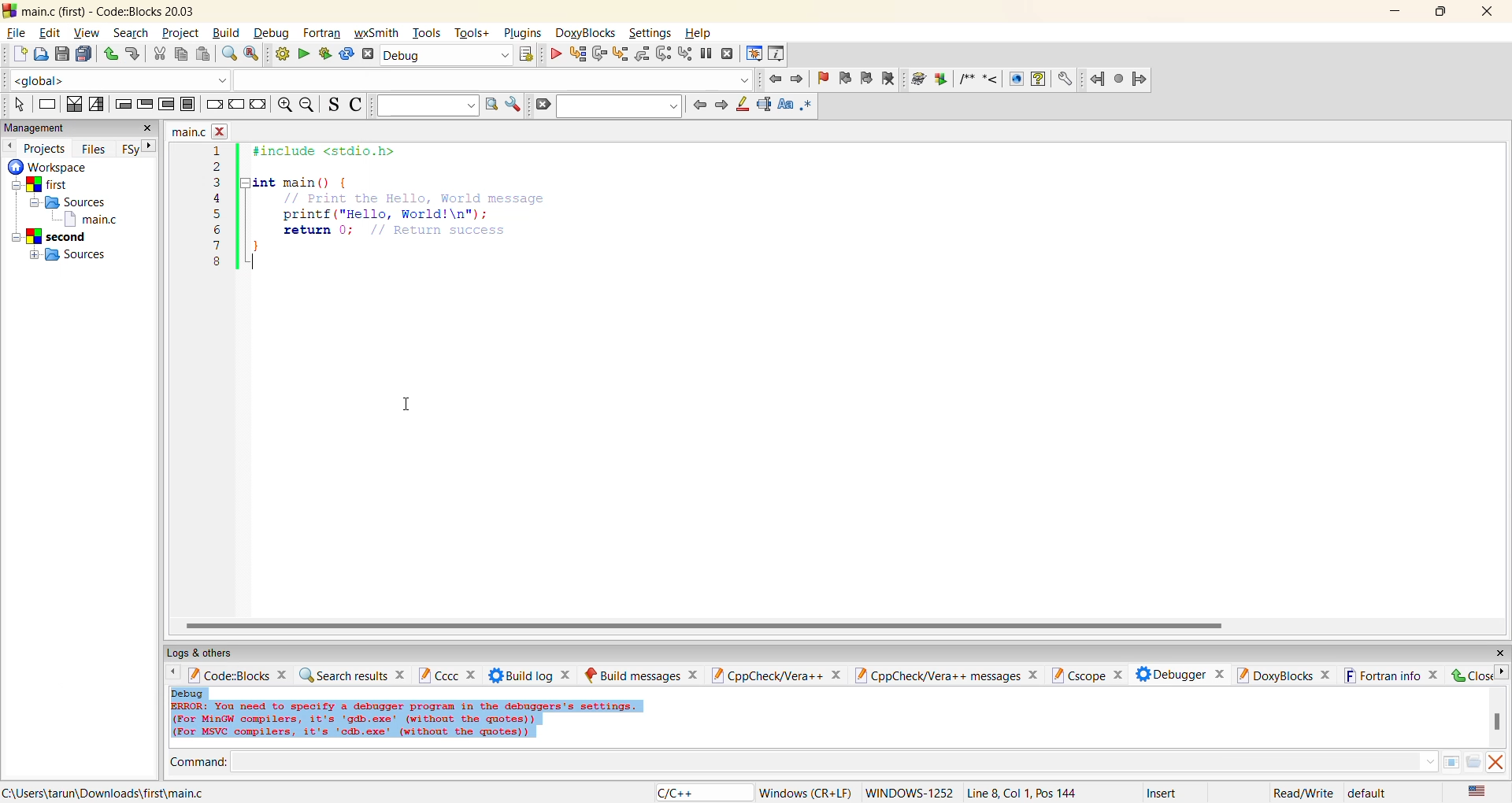  I want to click on save, so click(60, 54).